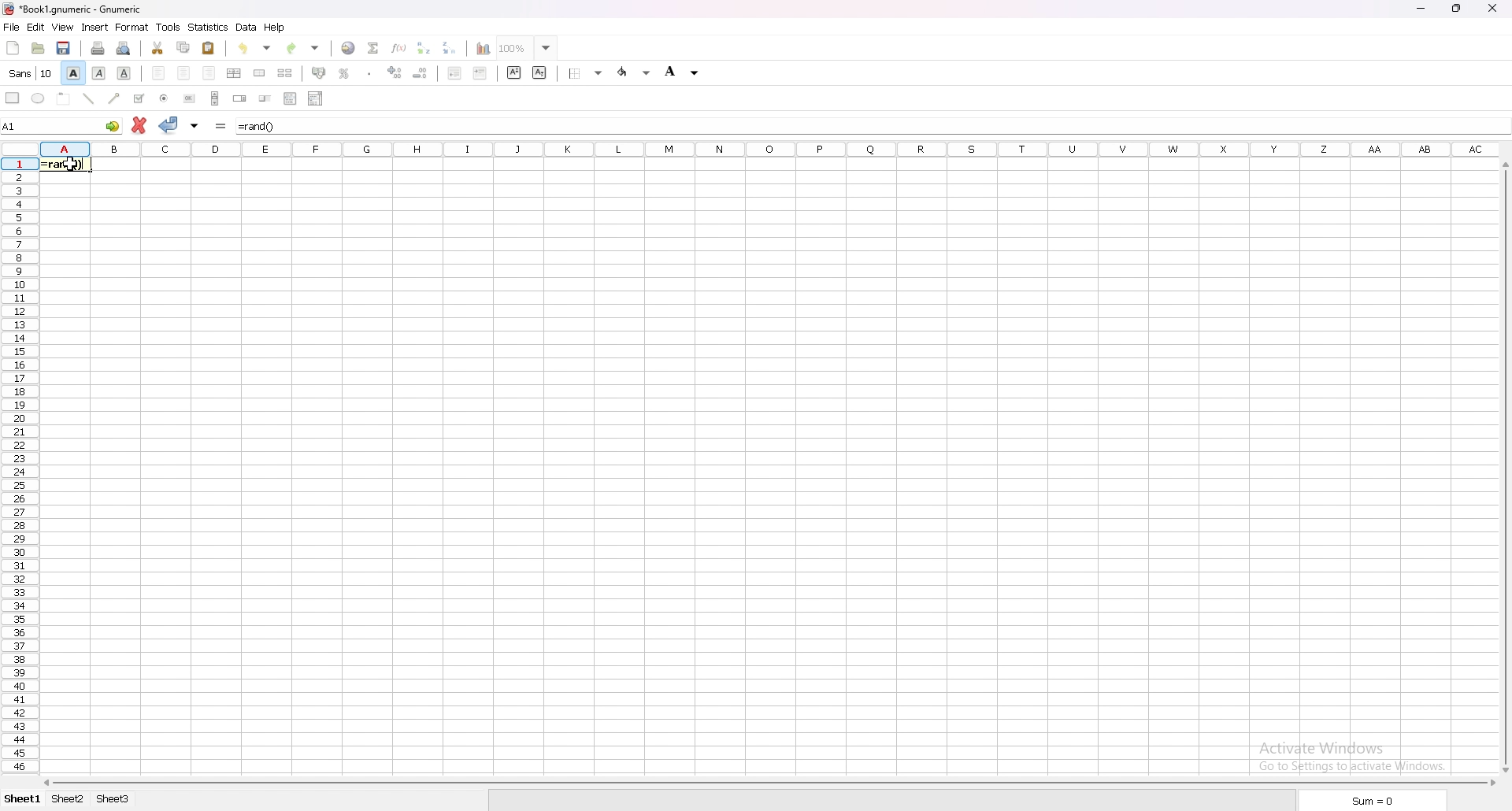  Describe the element at coordinates (1492, 7) in the screenshot. I see `close` at that location.